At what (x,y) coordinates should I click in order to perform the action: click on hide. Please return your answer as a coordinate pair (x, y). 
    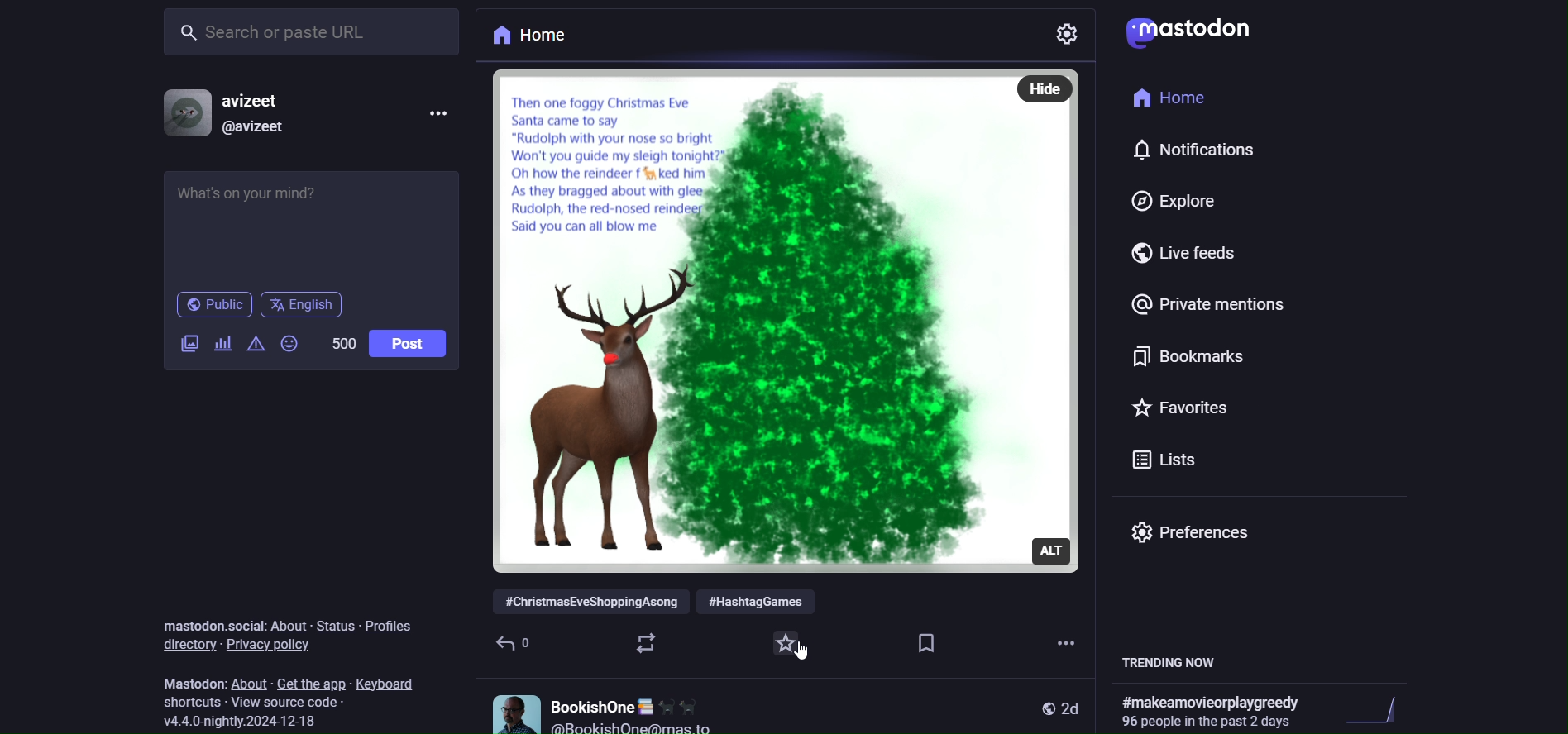
    Looking at the image, I should click on (1050, 83).